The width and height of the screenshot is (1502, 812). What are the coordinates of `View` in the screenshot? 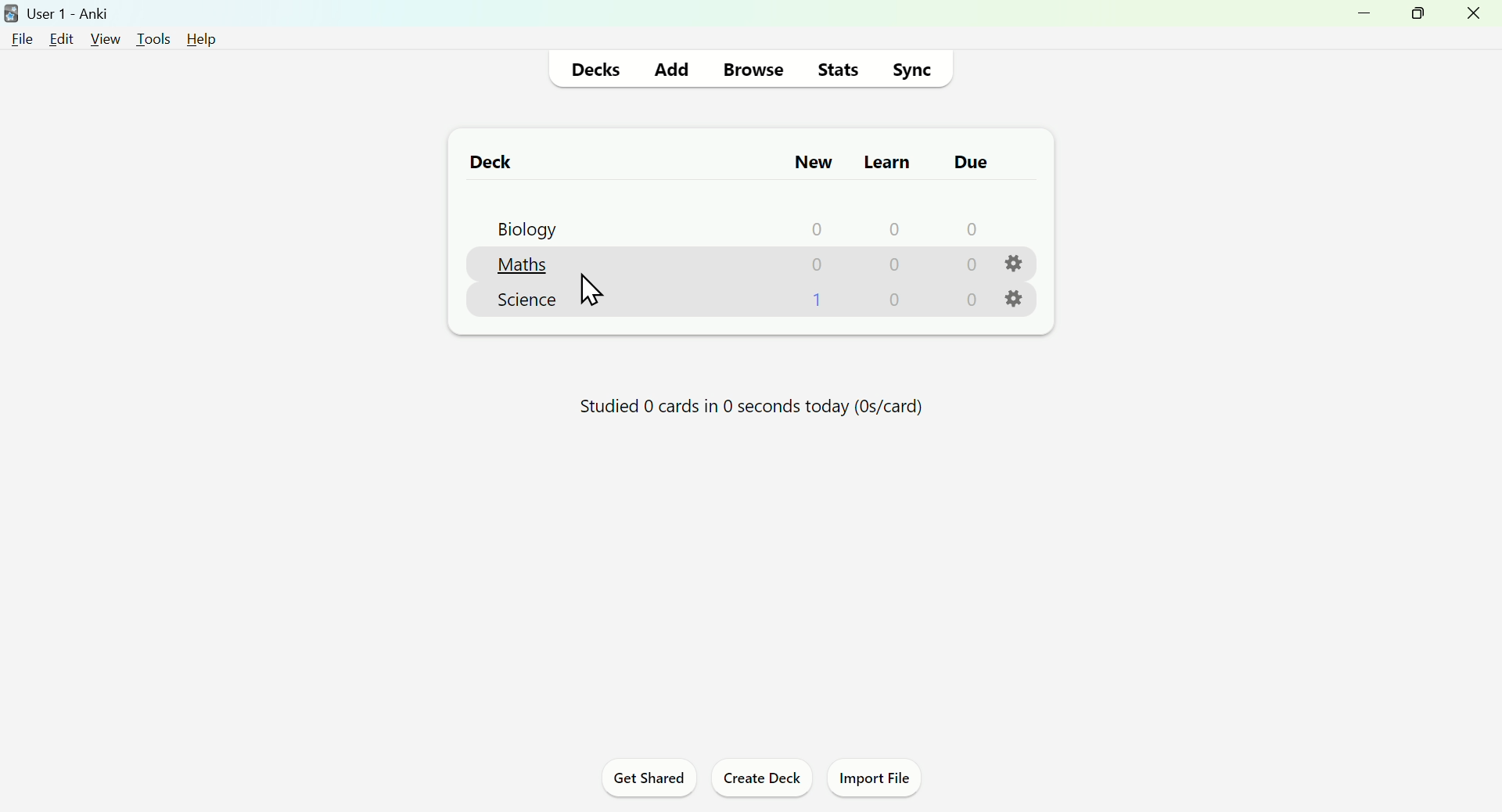 It's located at (104, 38).